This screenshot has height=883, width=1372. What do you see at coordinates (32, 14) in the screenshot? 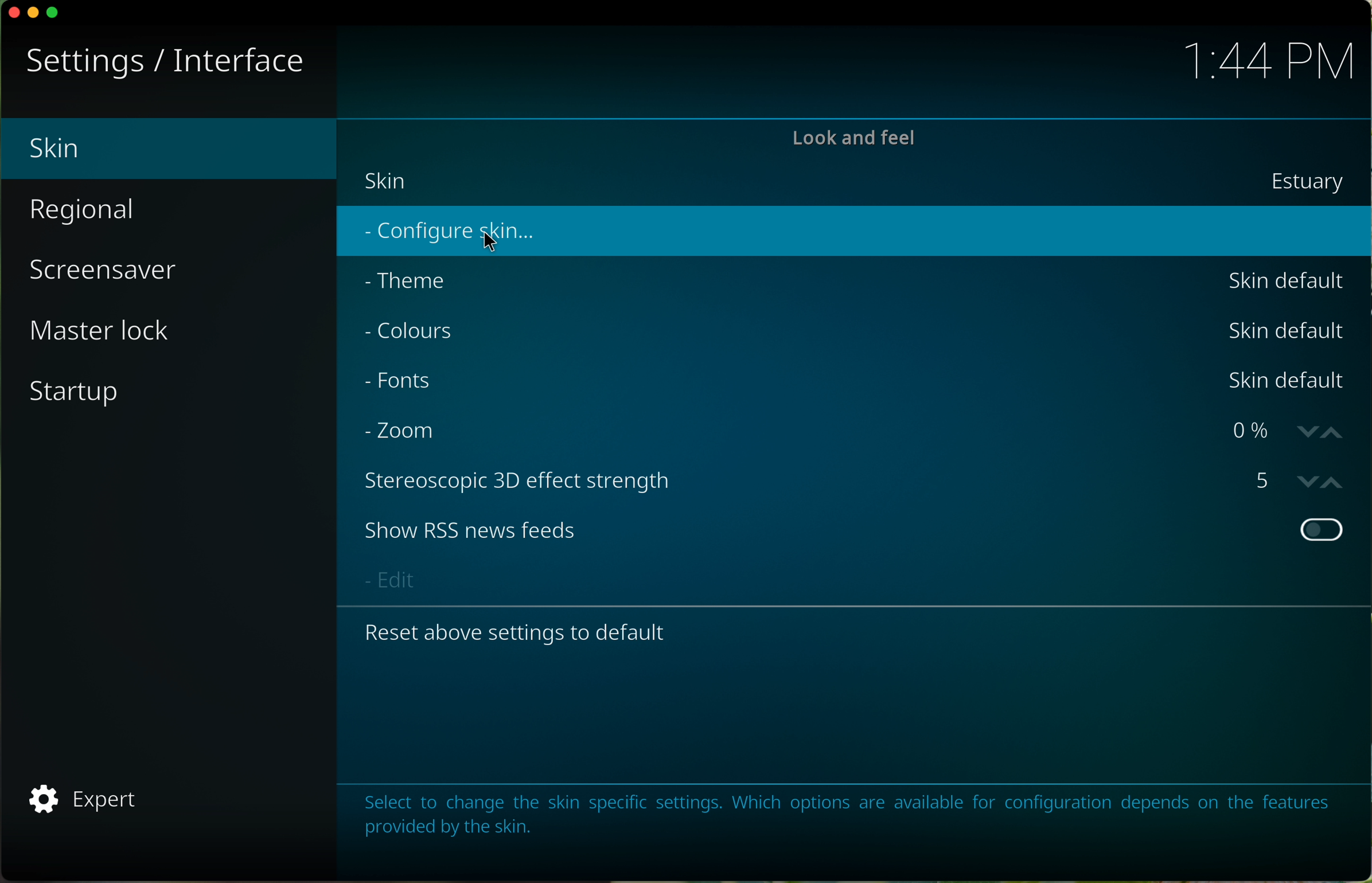
I see `minimize` at bounding box center [32, 14].